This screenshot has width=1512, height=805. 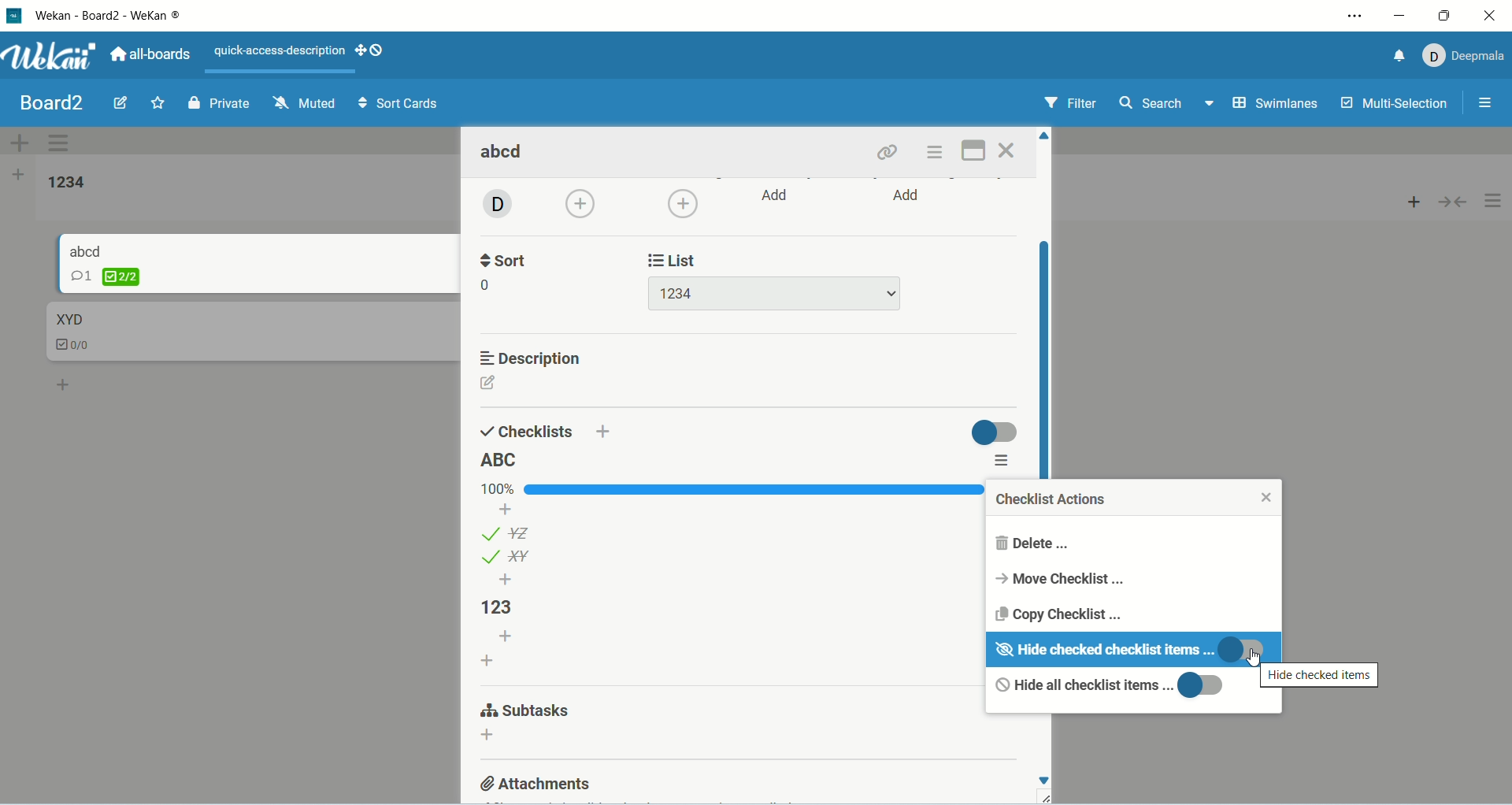 I want to click on add, so click(x=508, y=509).